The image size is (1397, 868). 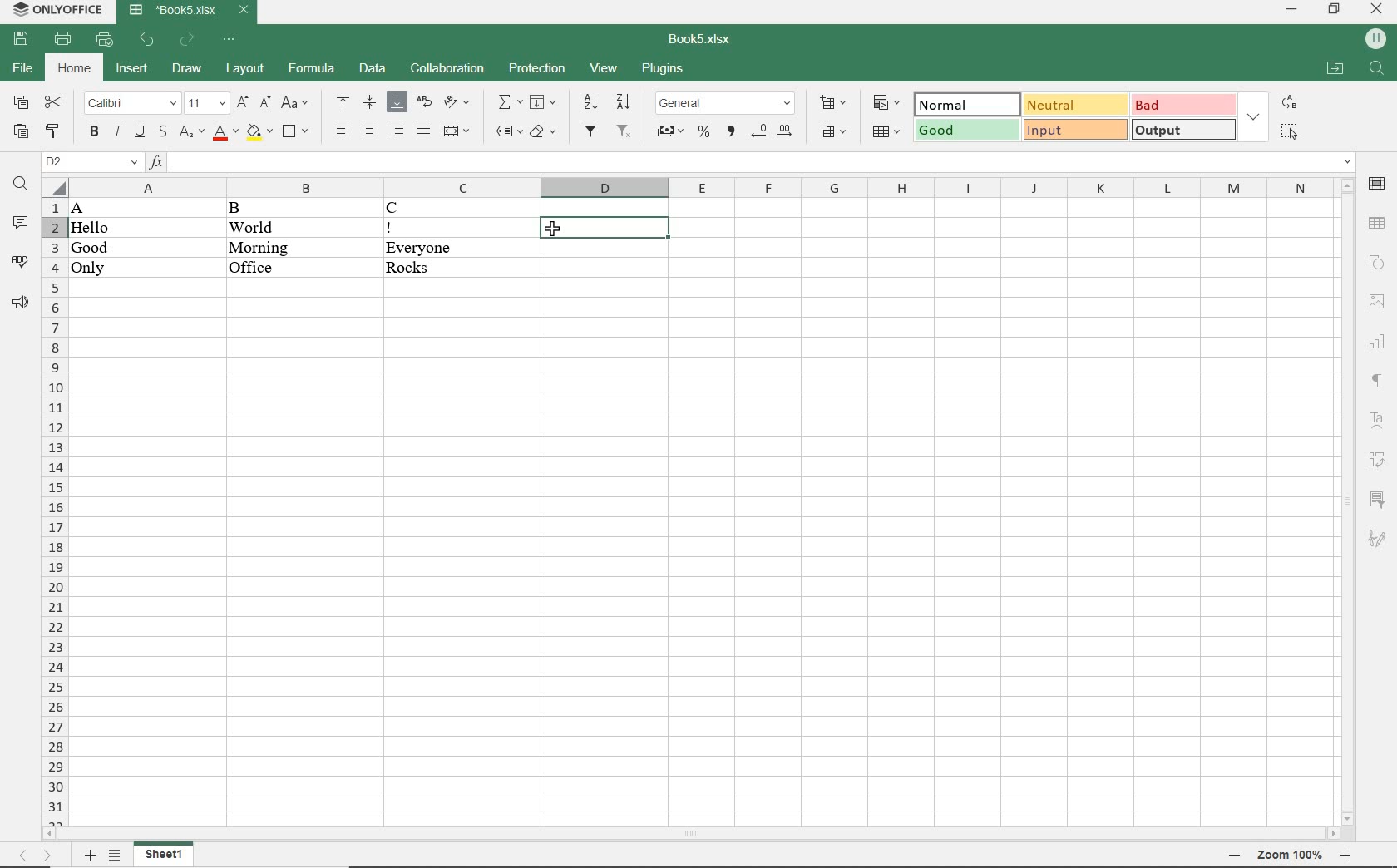 What do you see at coordinates (1334, 833) in the screenshot?
I see `move right` at bounding box center [1334, 833].